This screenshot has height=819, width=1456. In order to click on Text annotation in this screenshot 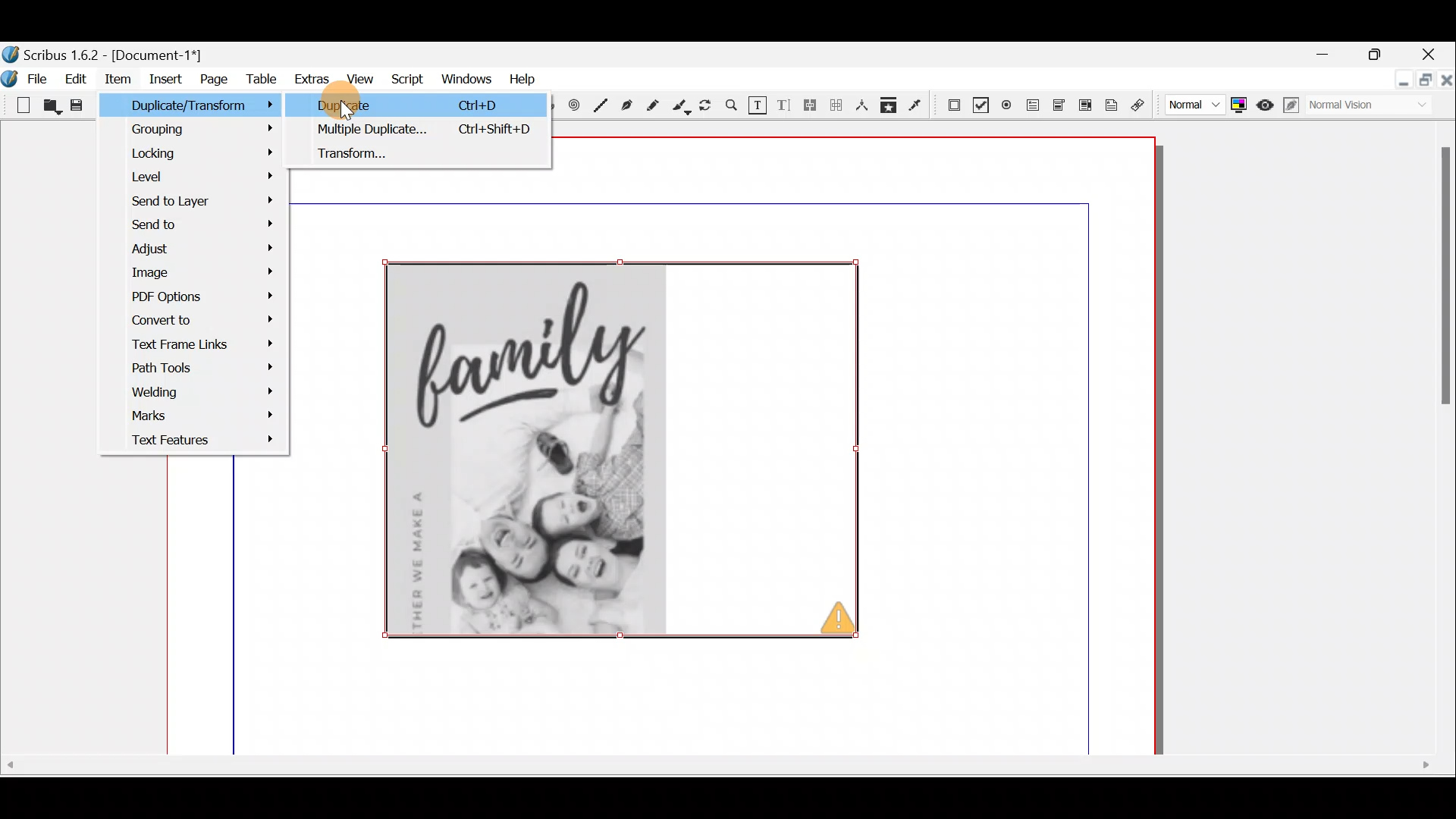, I will do `click(1114, 104)`.